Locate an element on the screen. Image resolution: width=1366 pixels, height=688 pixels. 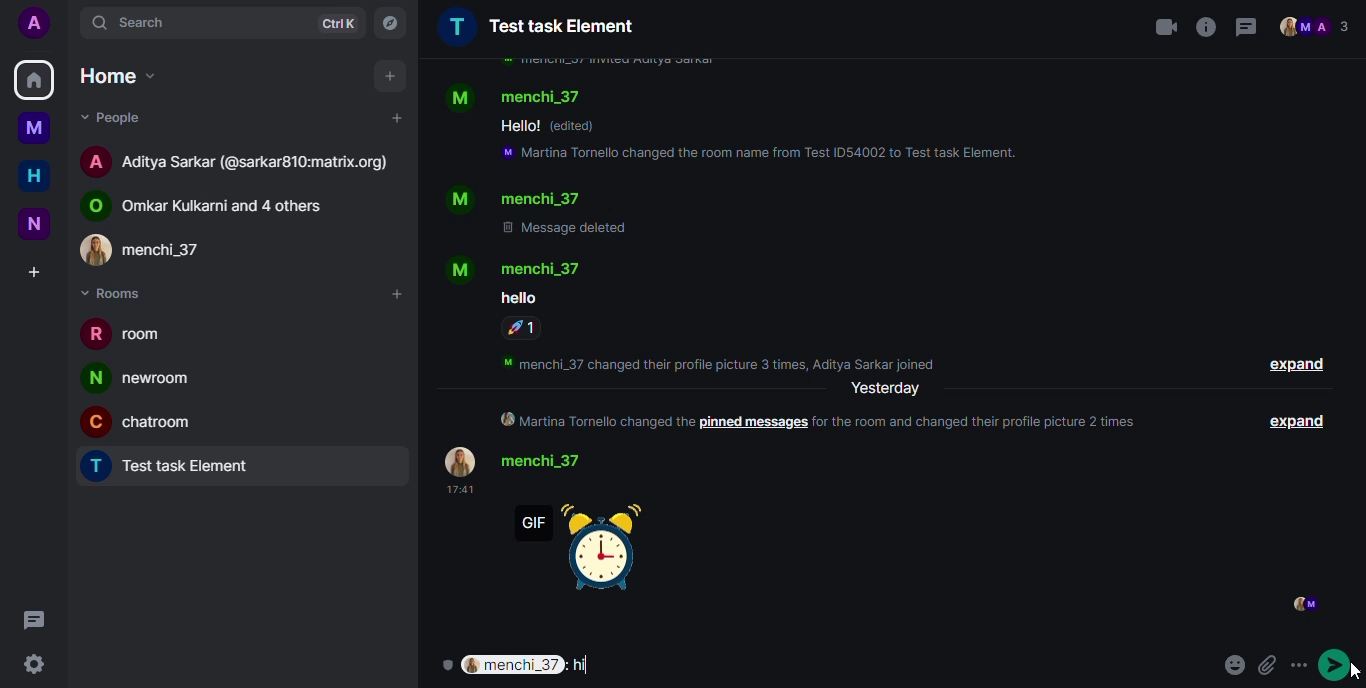
emoji is located at coordinates (1233, 663).